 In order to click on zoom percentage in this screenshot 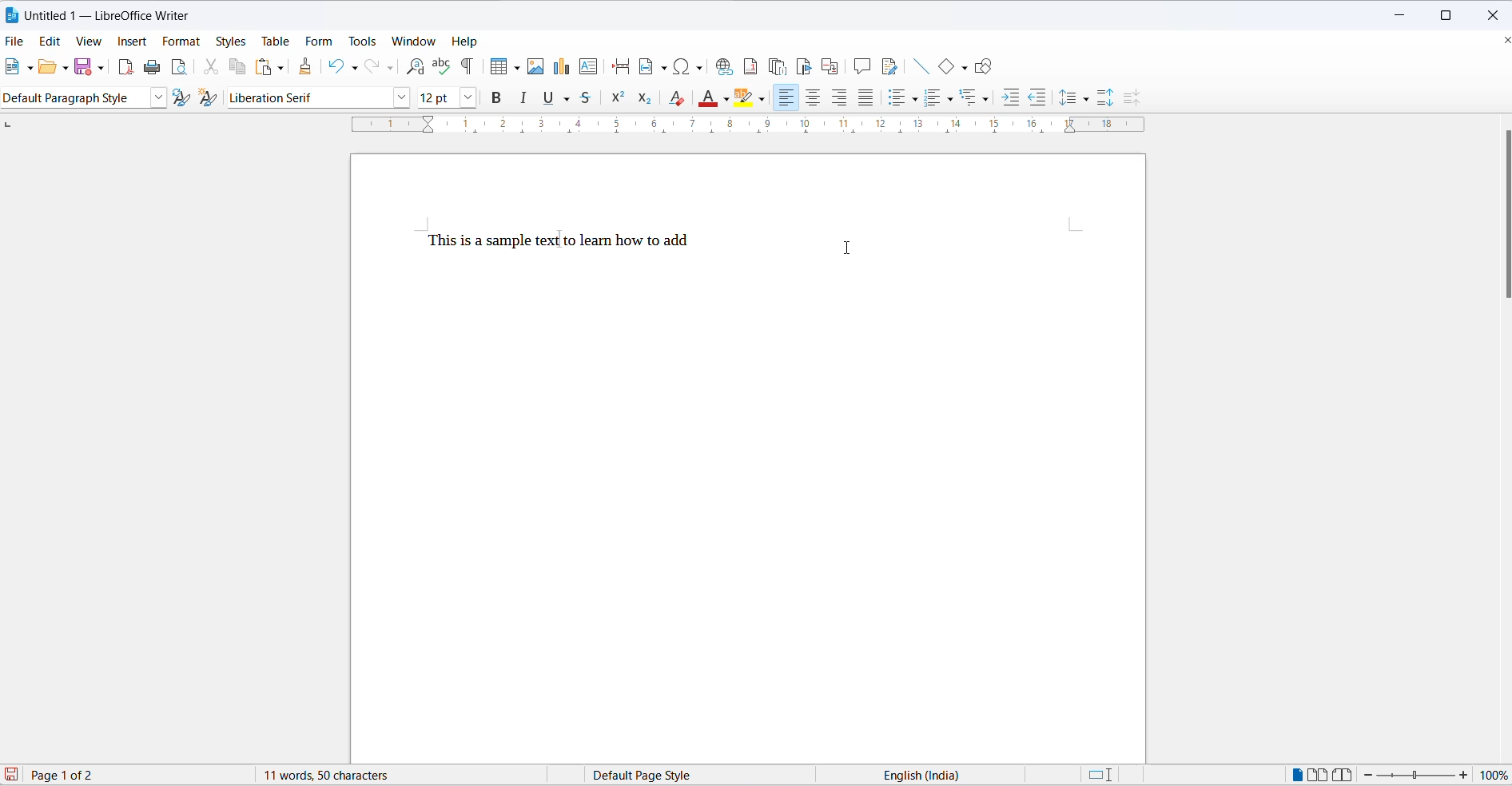, I will do `click(1496, 774)`.